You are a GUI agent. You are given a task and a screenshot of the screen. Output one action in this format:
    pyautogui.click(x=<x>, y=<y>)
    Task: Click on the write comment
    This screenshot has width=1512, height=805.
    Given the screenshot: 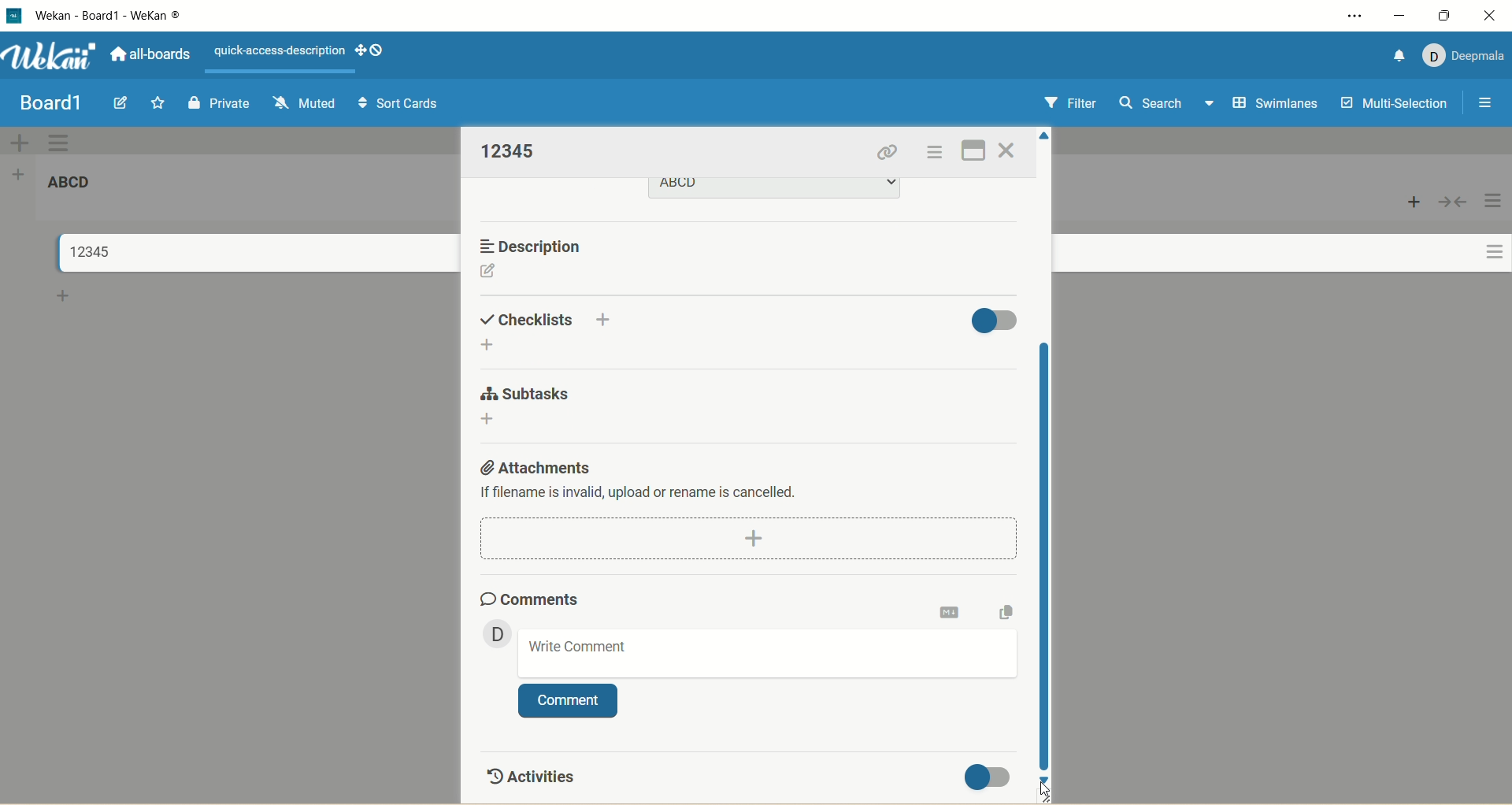 What is the action you would take?
    pyautogui.click(x=764, y=657)
    